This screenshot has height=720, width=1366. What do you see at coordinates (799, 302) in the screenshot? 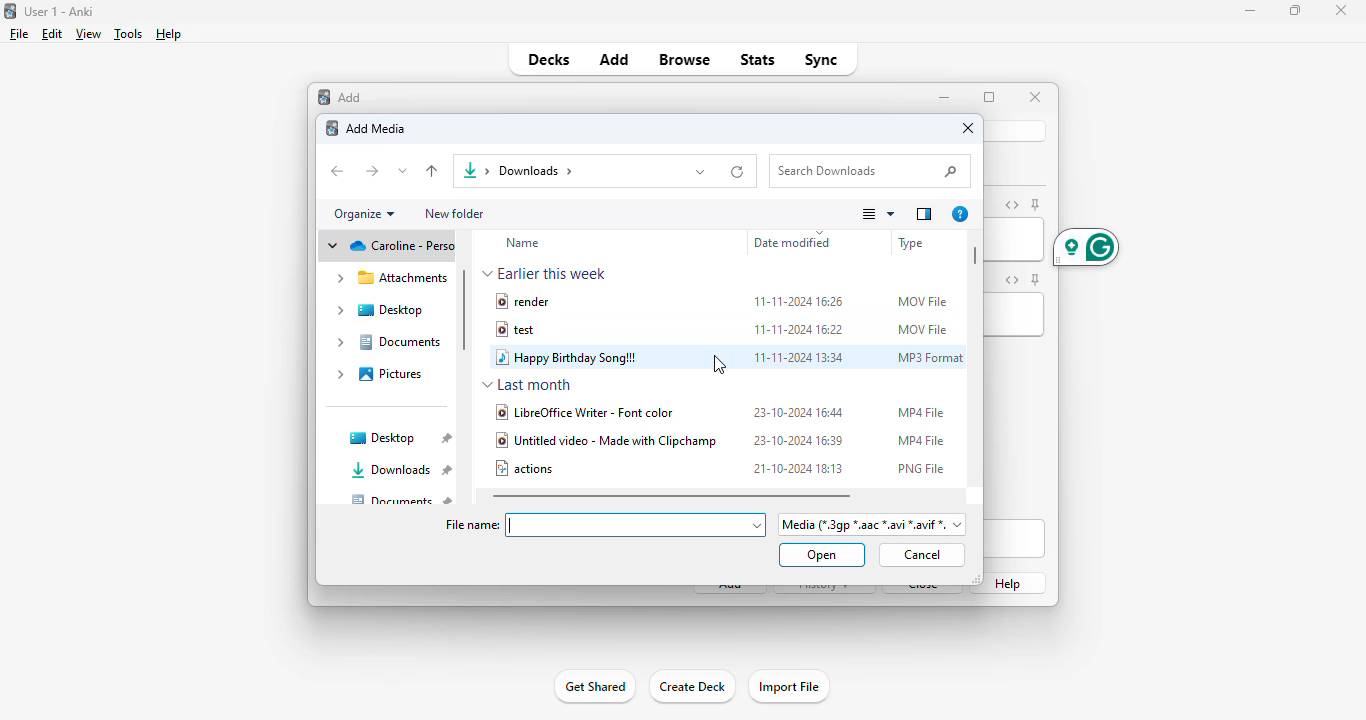
I see `11-11-2024` at bounding box center [799, 302].